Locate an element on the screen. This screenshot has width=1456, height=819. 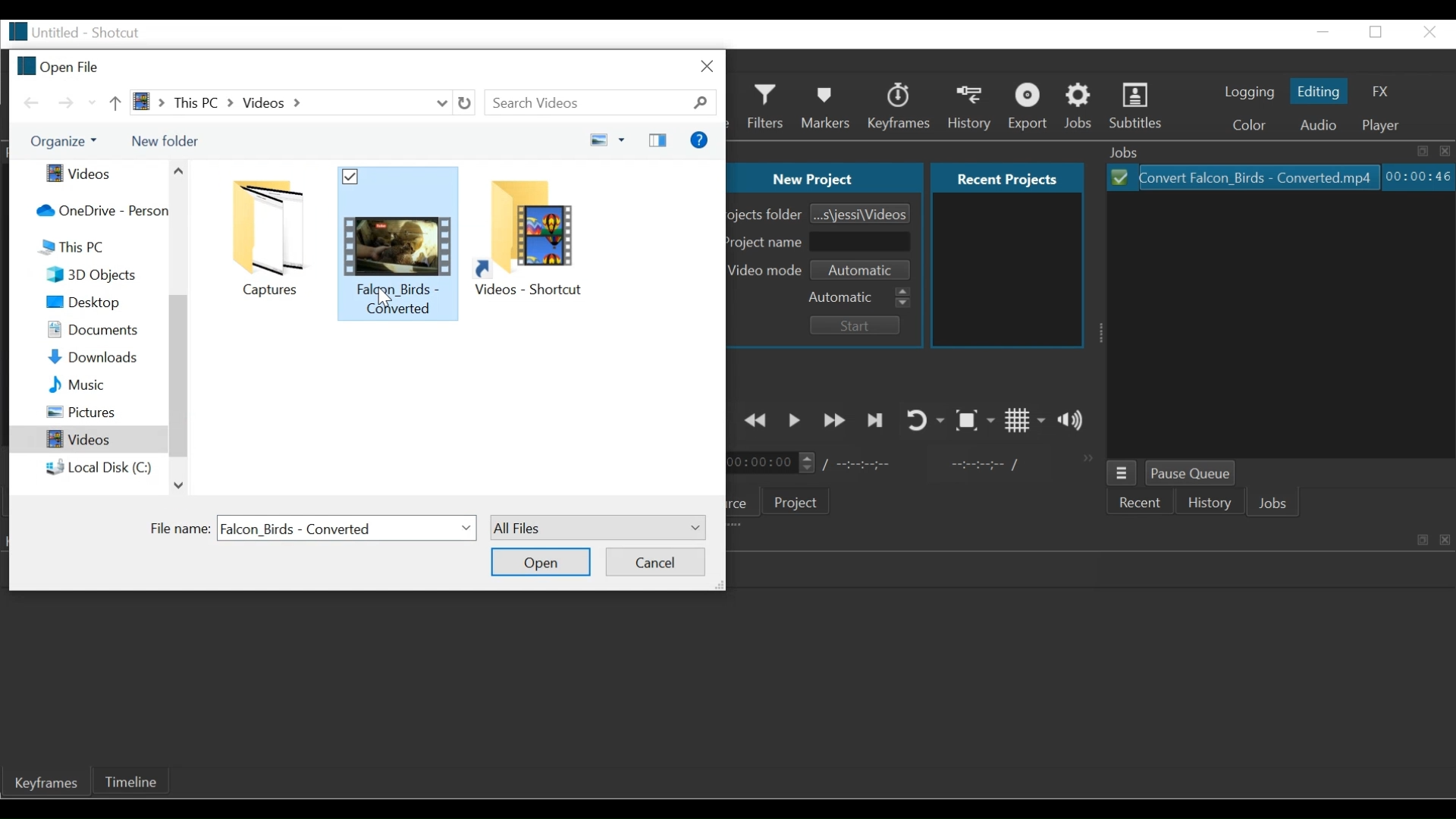
Desktop is located at coordinates (99, 303).